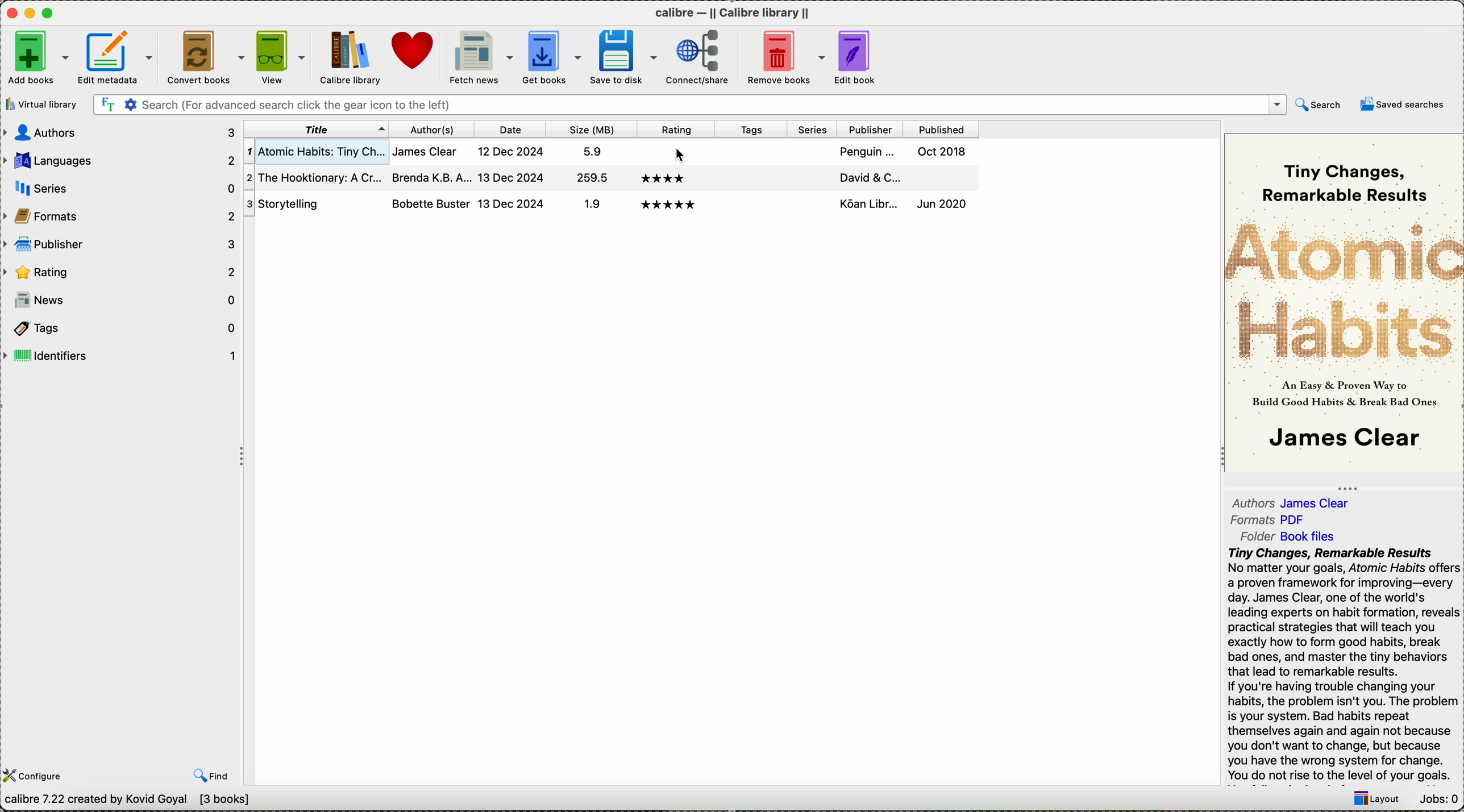  Describe the element at coordinates (868, 203) in the screenshot. I see `koan libr...` at that location.